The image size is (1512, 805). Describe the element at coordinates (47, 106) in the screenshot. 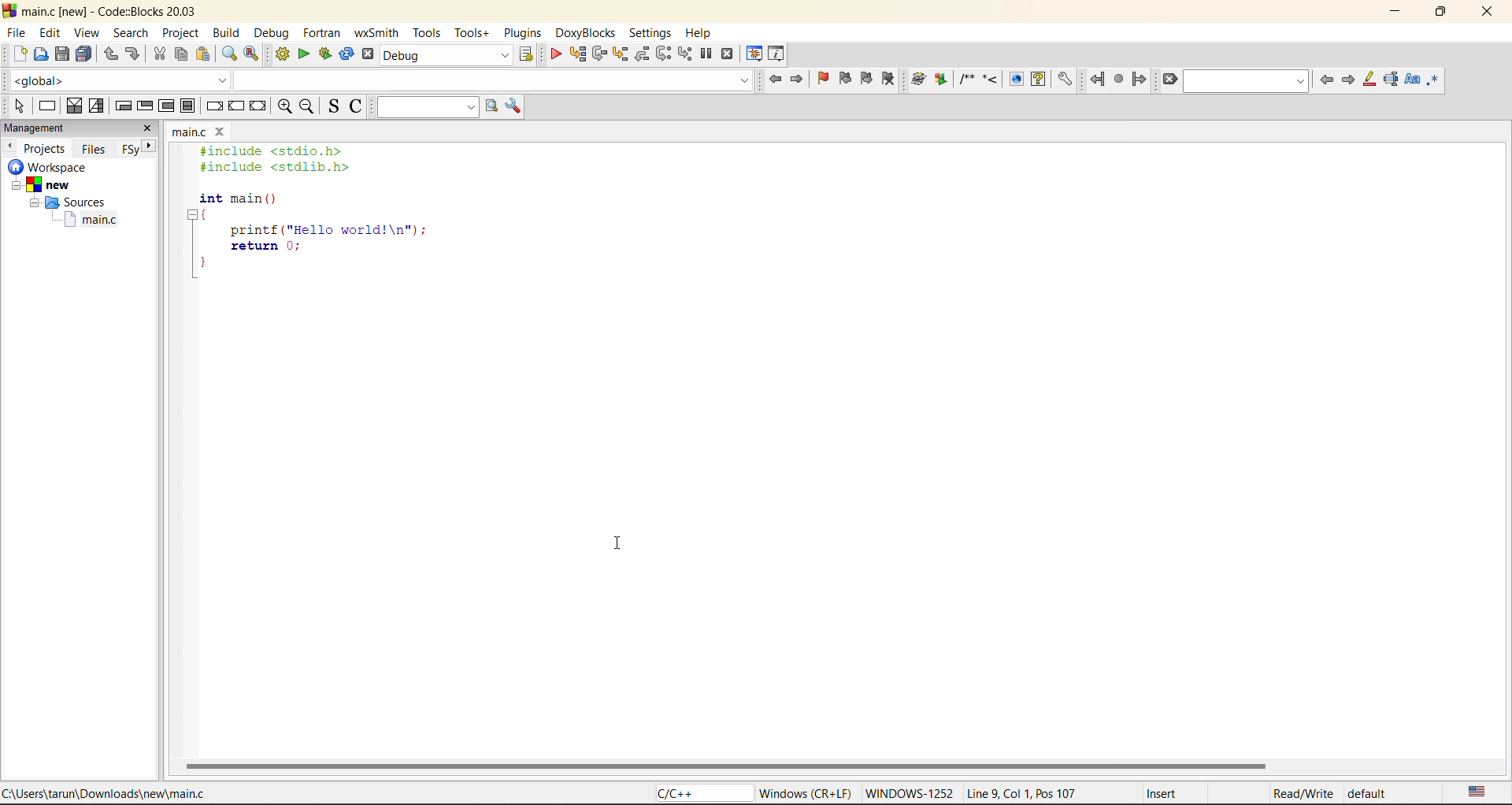

I see `instruction` at that location.